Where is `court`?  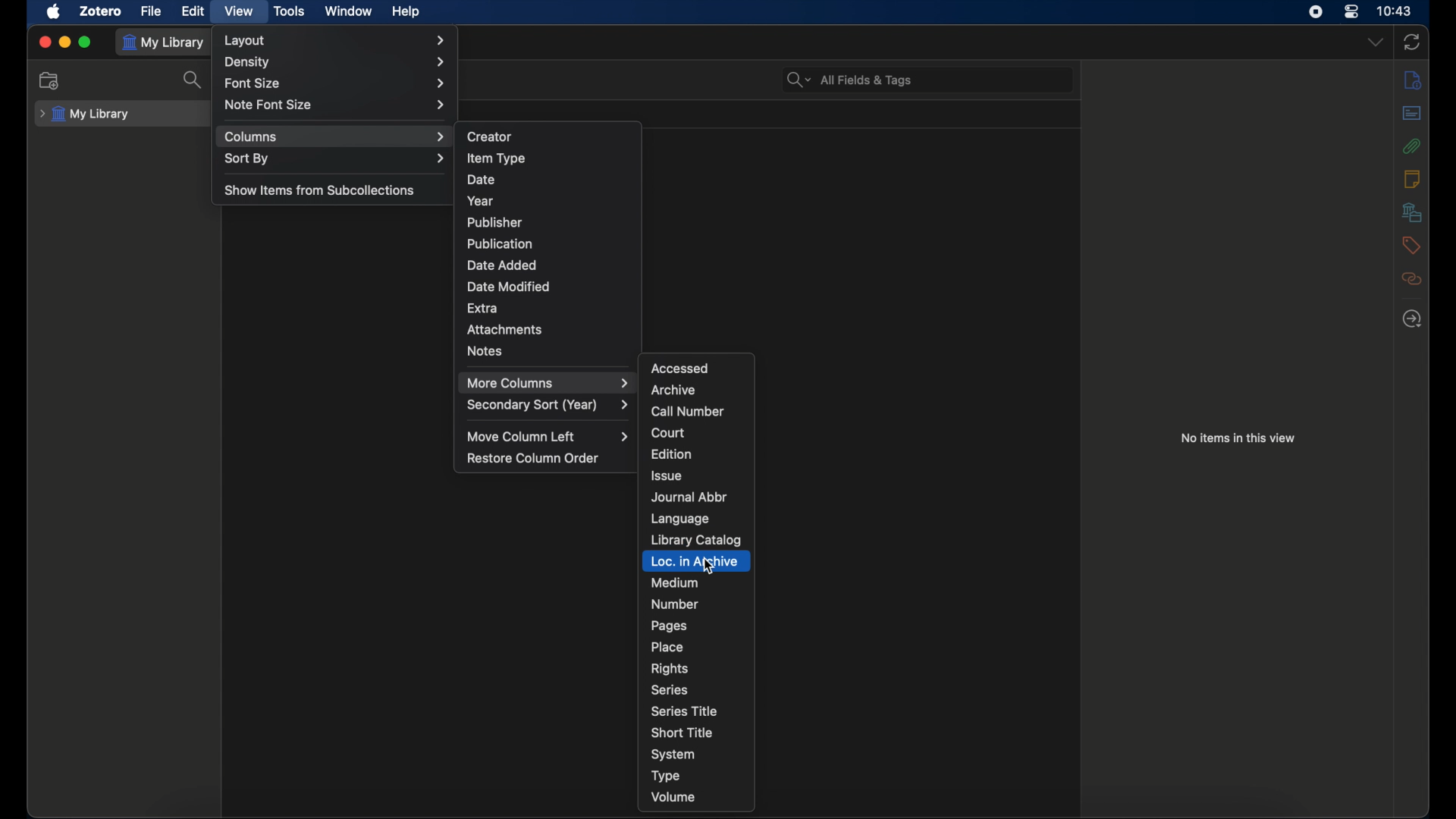 court is located at coordinates (669, 432).